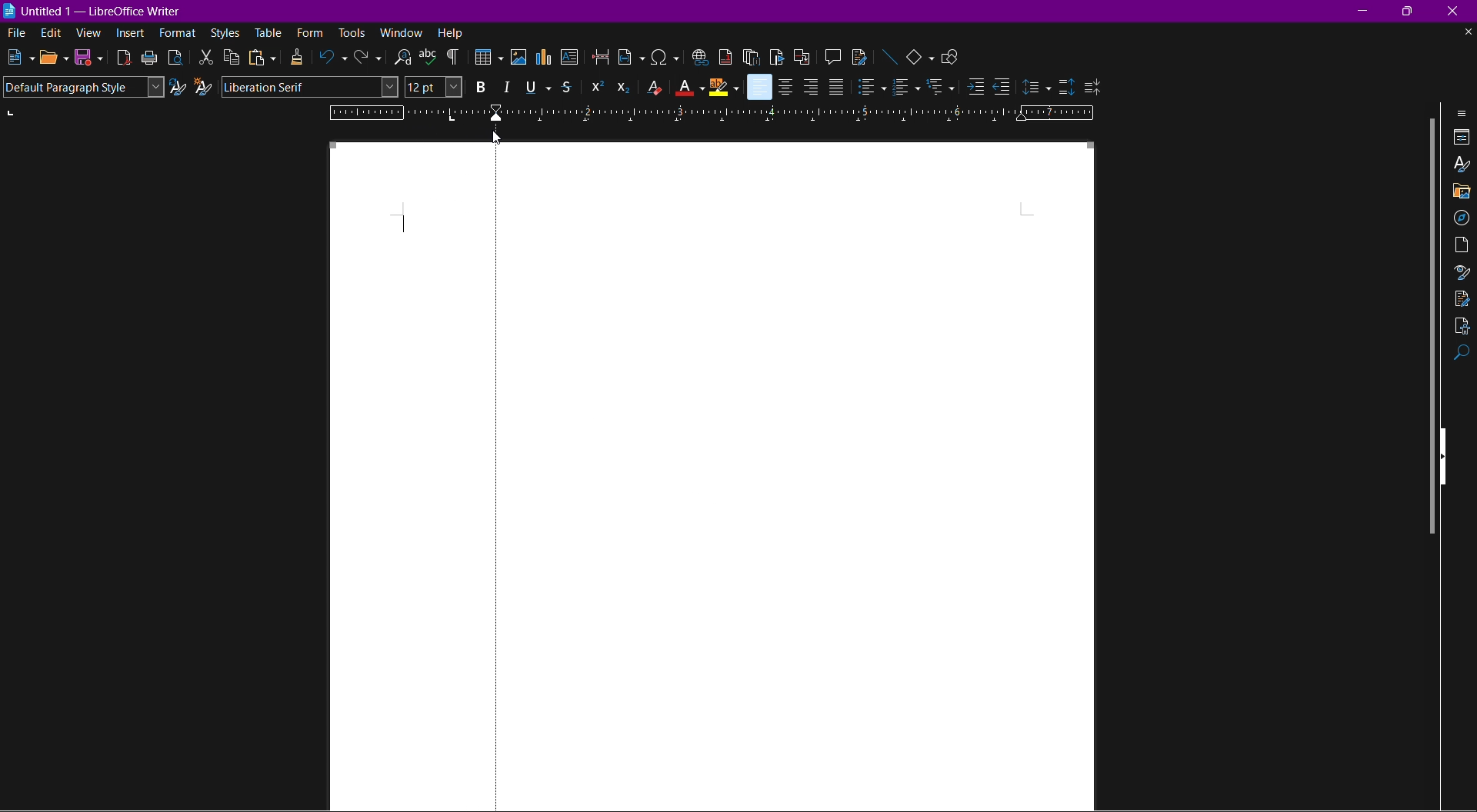  Describe the element at coordinates (401, 224) in the screenshot. I see `cursor` at that location.